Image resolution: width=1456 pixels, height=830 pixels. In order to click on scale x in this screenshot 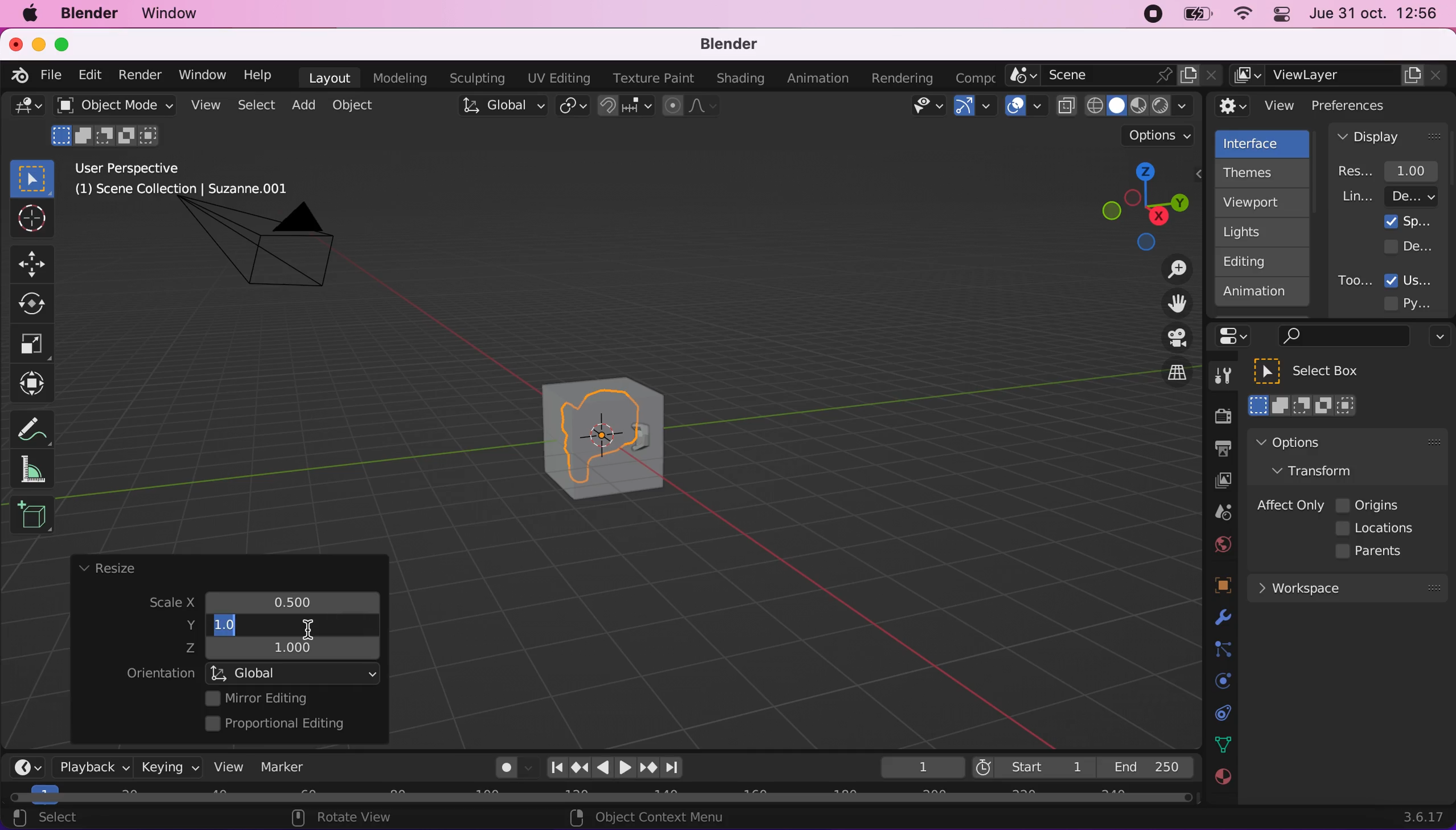, I will do `click(289, 599)`.